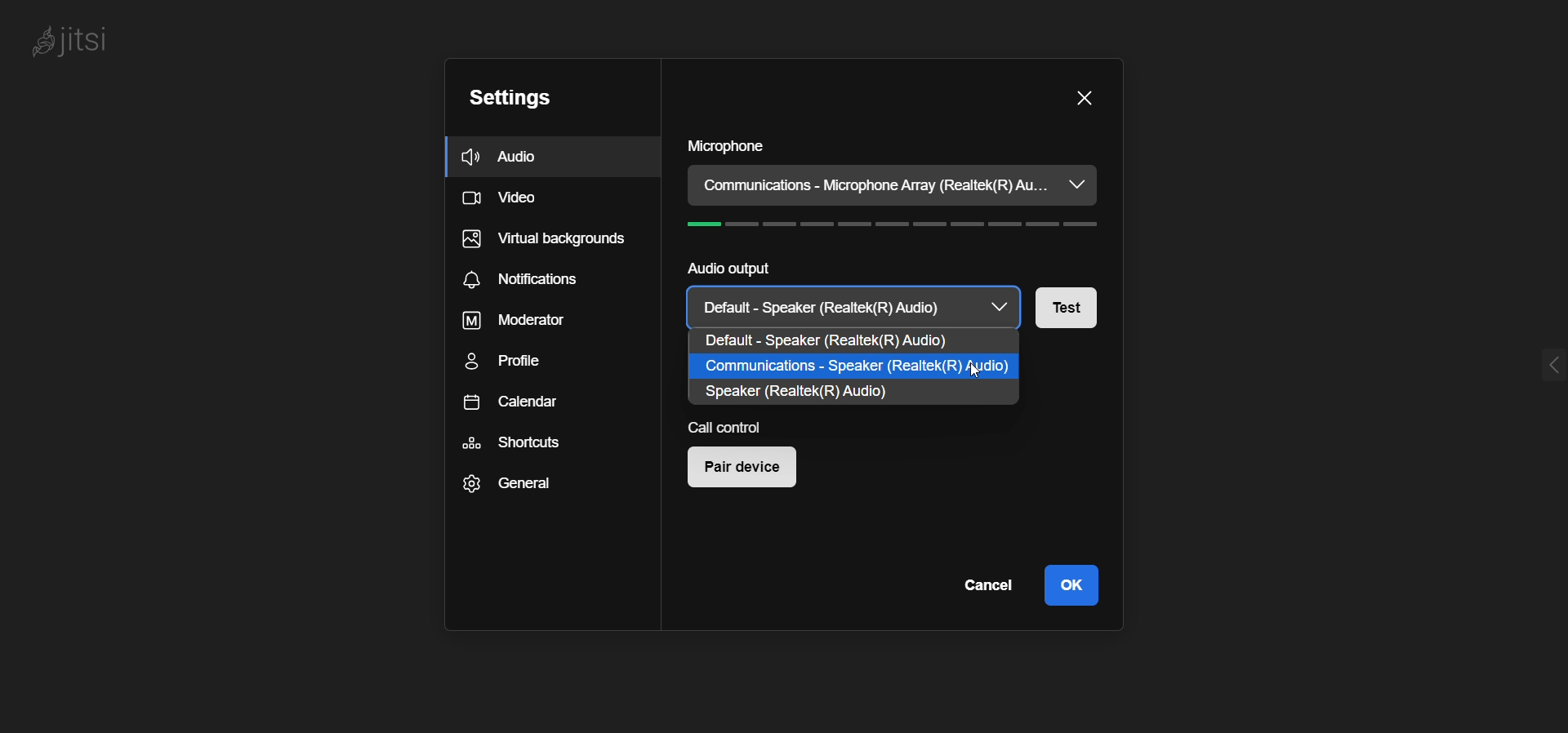 The image size is (1568, 733). I want to click on current microphone, so click(874, 186).